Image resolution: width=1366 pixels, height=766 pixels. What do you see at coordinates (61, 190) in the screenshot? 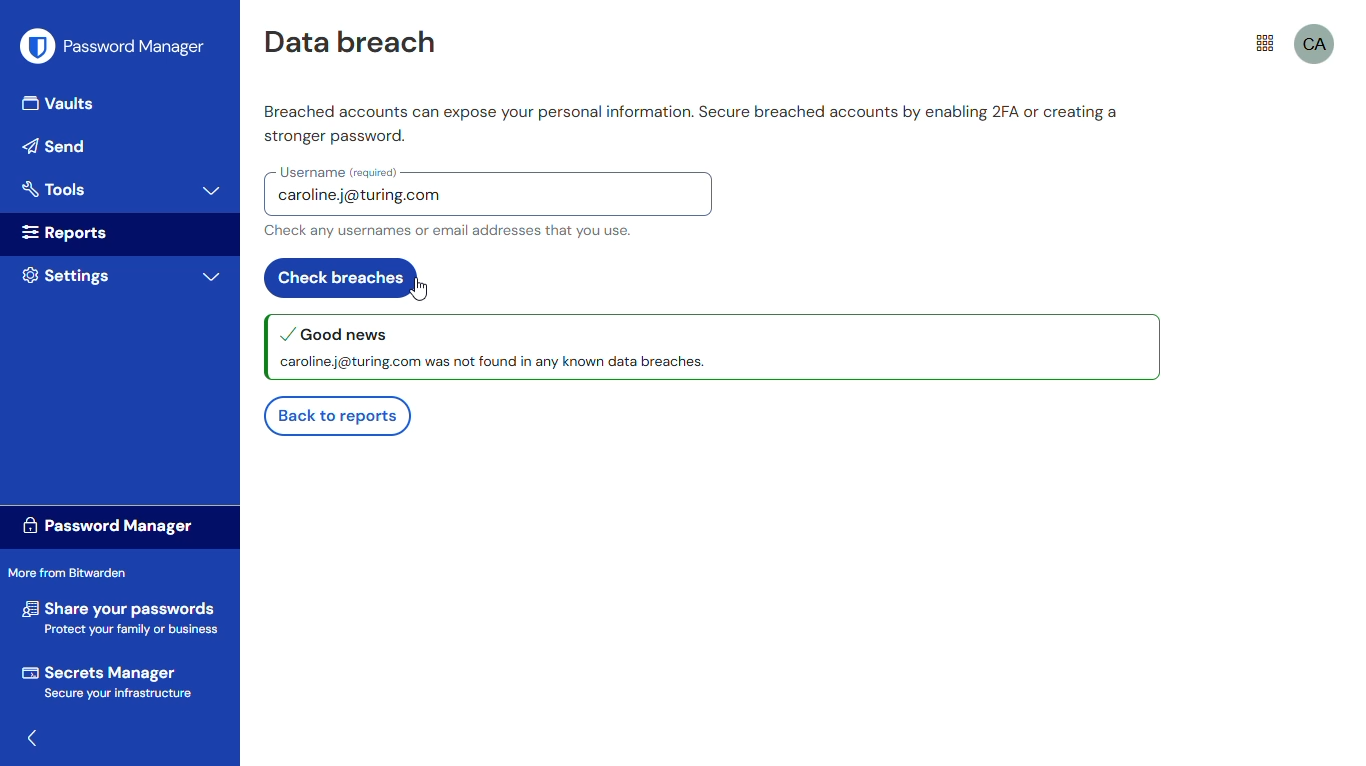
I see `tools` at bounding box center [61, 190].